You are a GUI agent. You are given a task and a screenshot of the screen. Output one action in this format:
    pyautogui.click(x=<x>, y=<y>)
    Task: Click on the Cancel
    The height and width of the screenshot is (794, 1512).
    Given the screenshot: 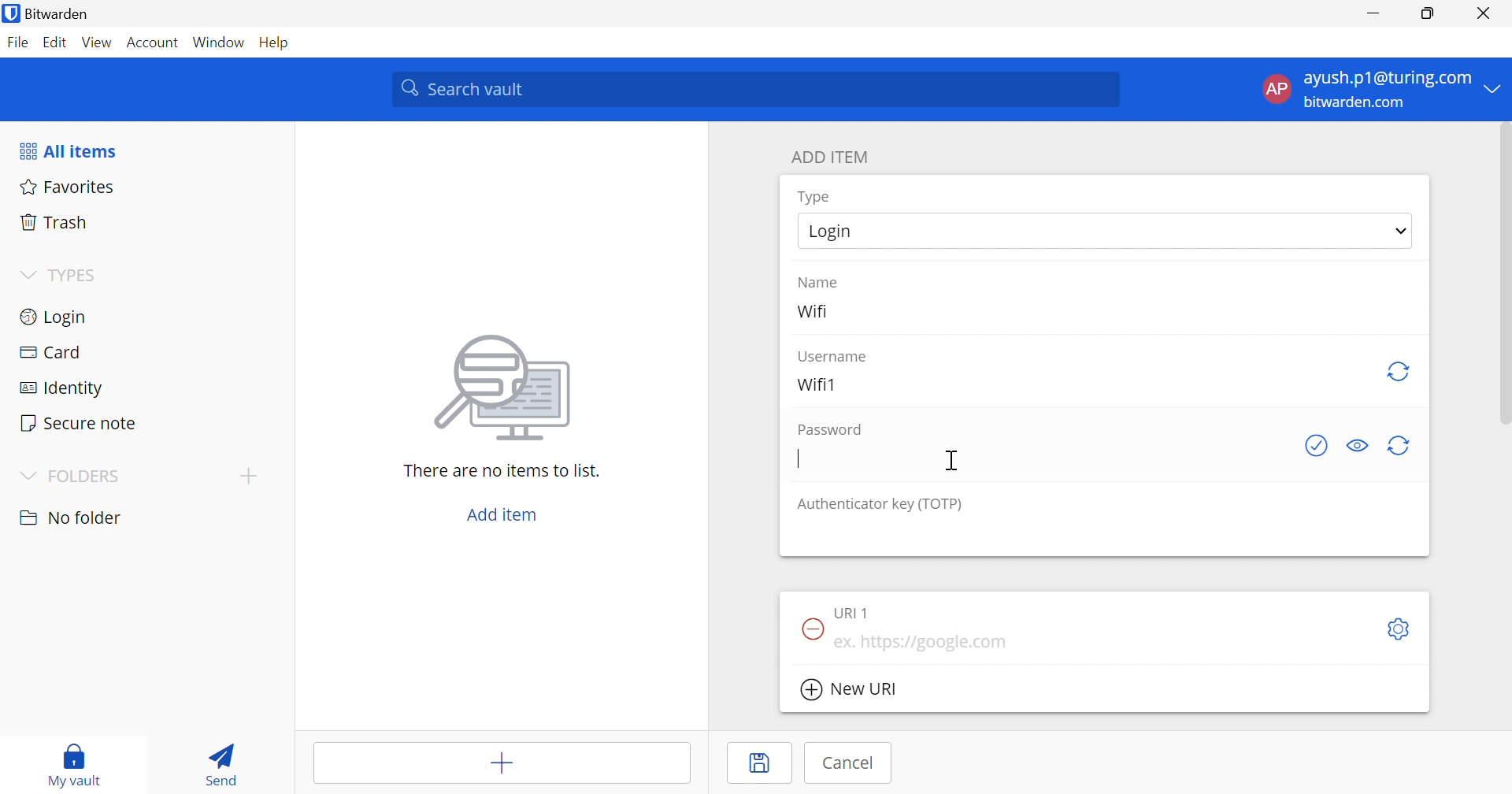 What is the action you would take?
    pyautogui.click(x=850, y=762)
    